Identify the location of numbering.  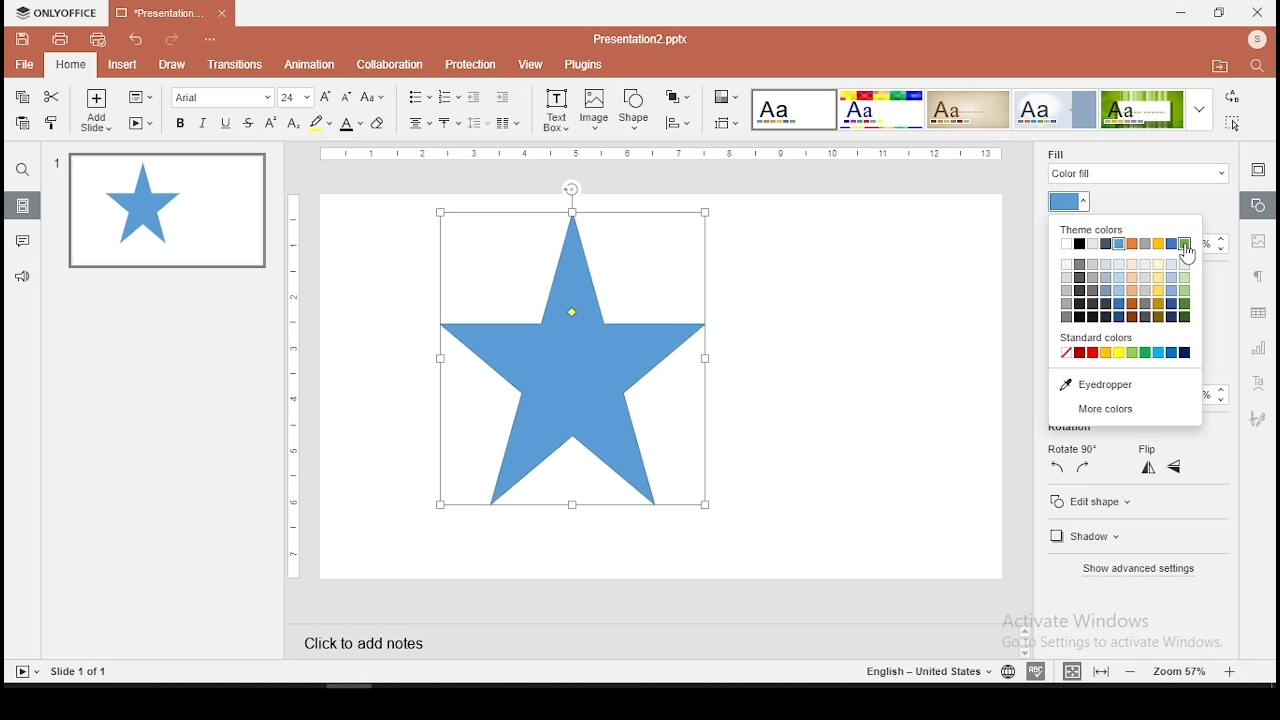
(450, 96).